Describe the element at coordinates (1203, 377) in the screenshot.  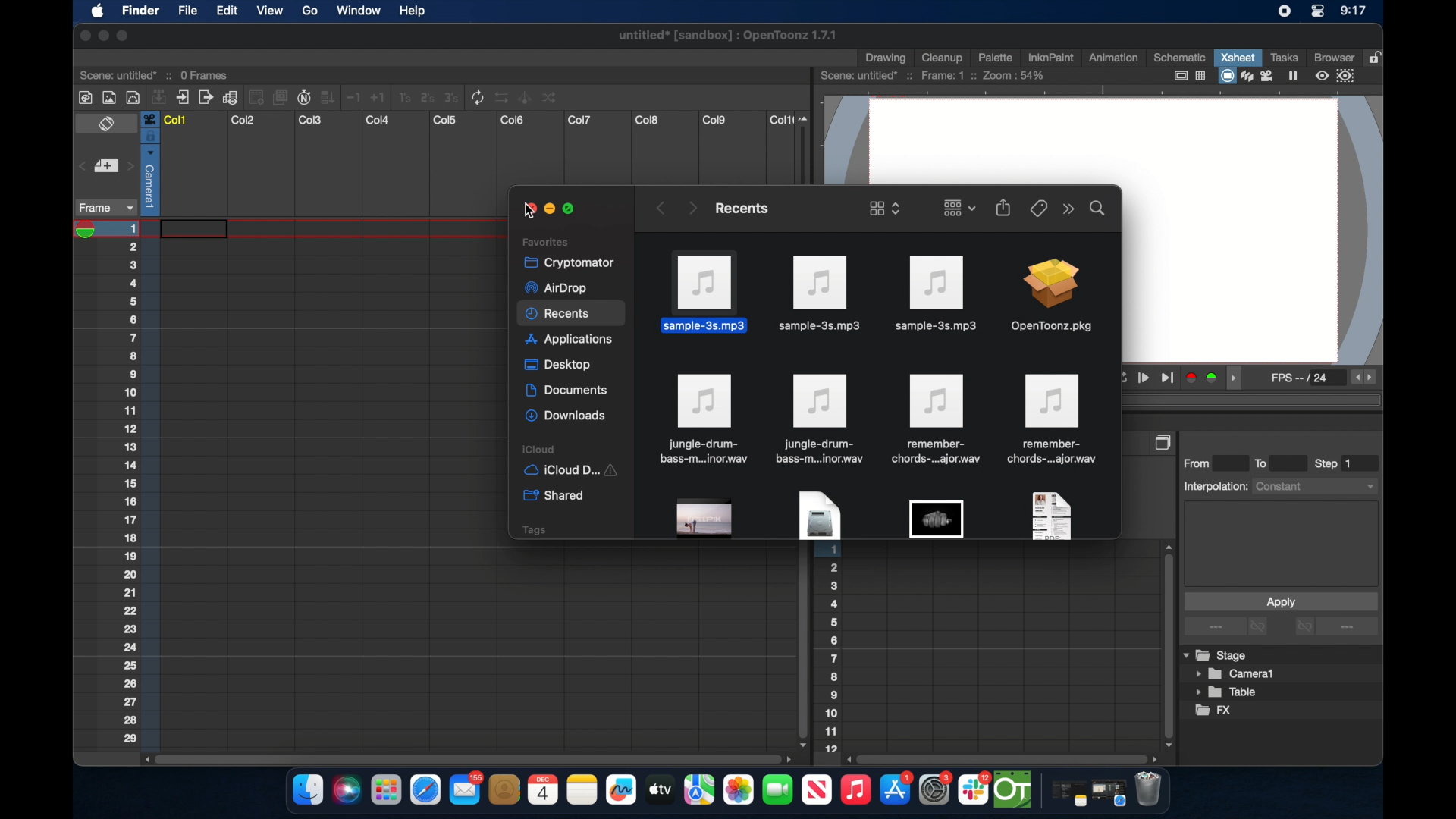
I see `color channels` at that location.